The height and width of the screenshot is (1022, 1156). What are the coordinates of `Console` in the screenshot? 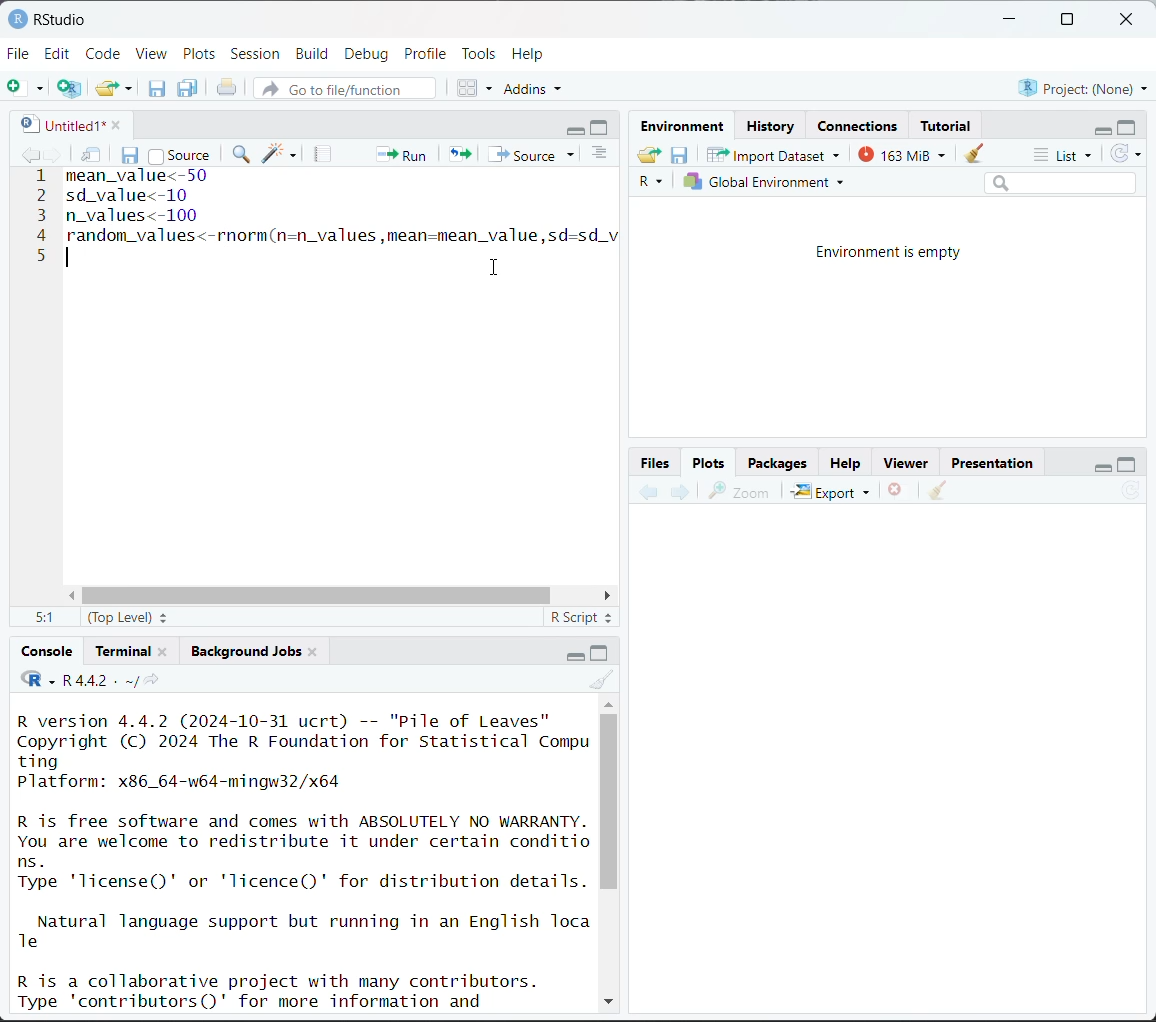 It's located at (48, 651).